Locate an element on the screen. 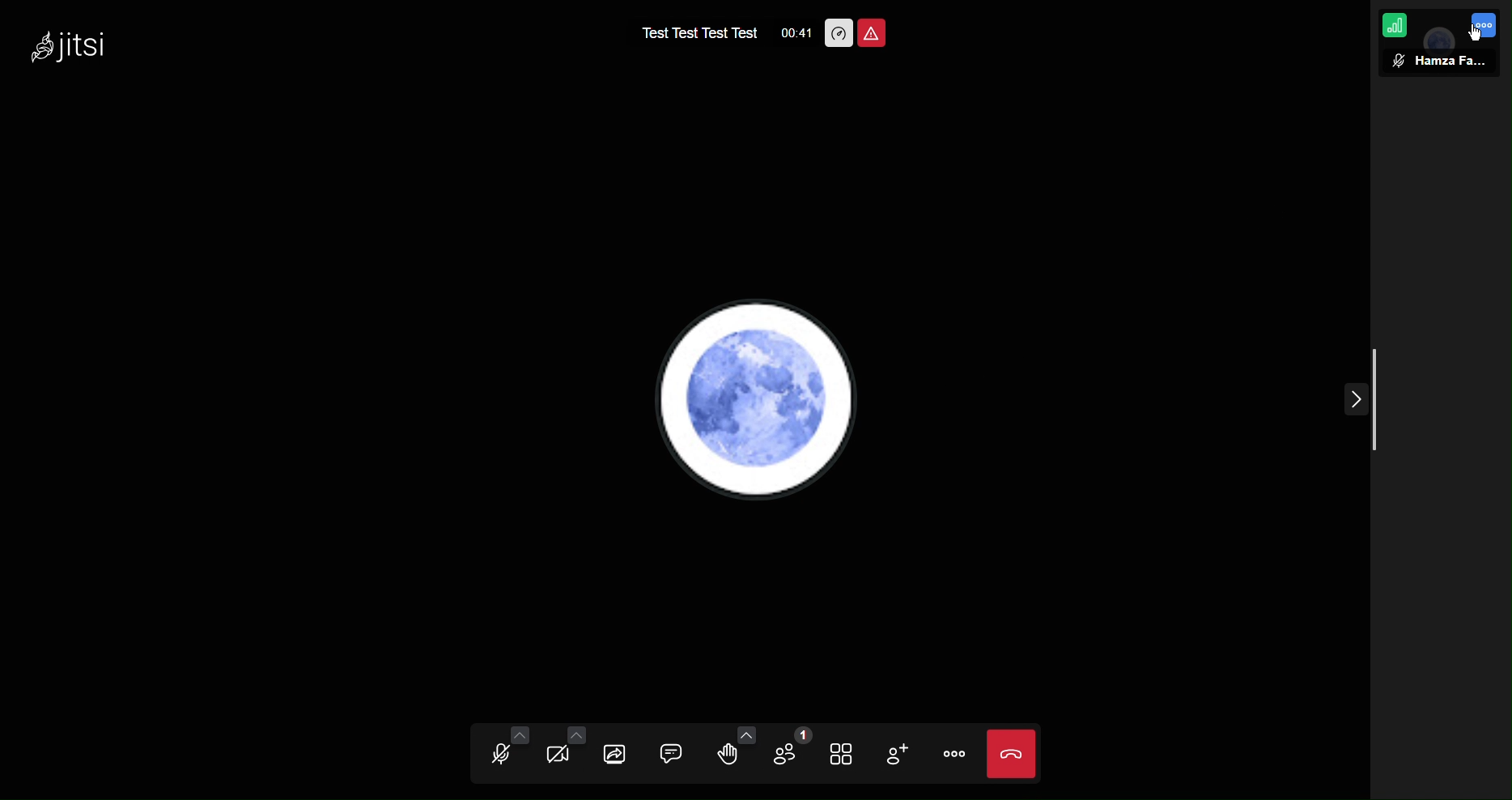 The image size is (1512, 800). Performance Settings is located at coordinates (839, 32).